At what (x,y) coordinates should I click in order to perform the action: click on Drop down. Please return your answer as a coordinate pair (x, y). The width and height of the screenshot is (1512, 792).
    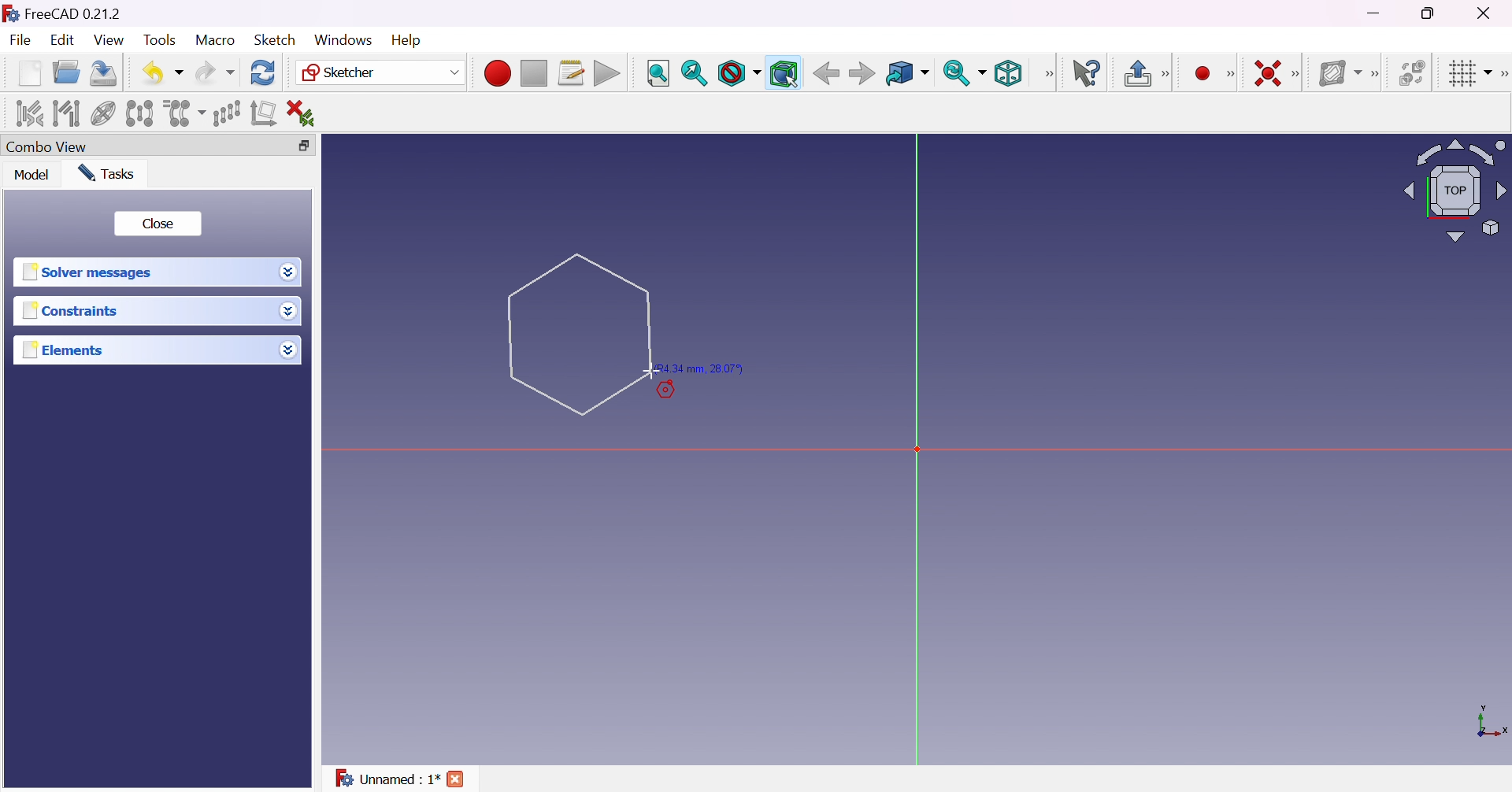
    Looking at the image, I should click on (292, 313).